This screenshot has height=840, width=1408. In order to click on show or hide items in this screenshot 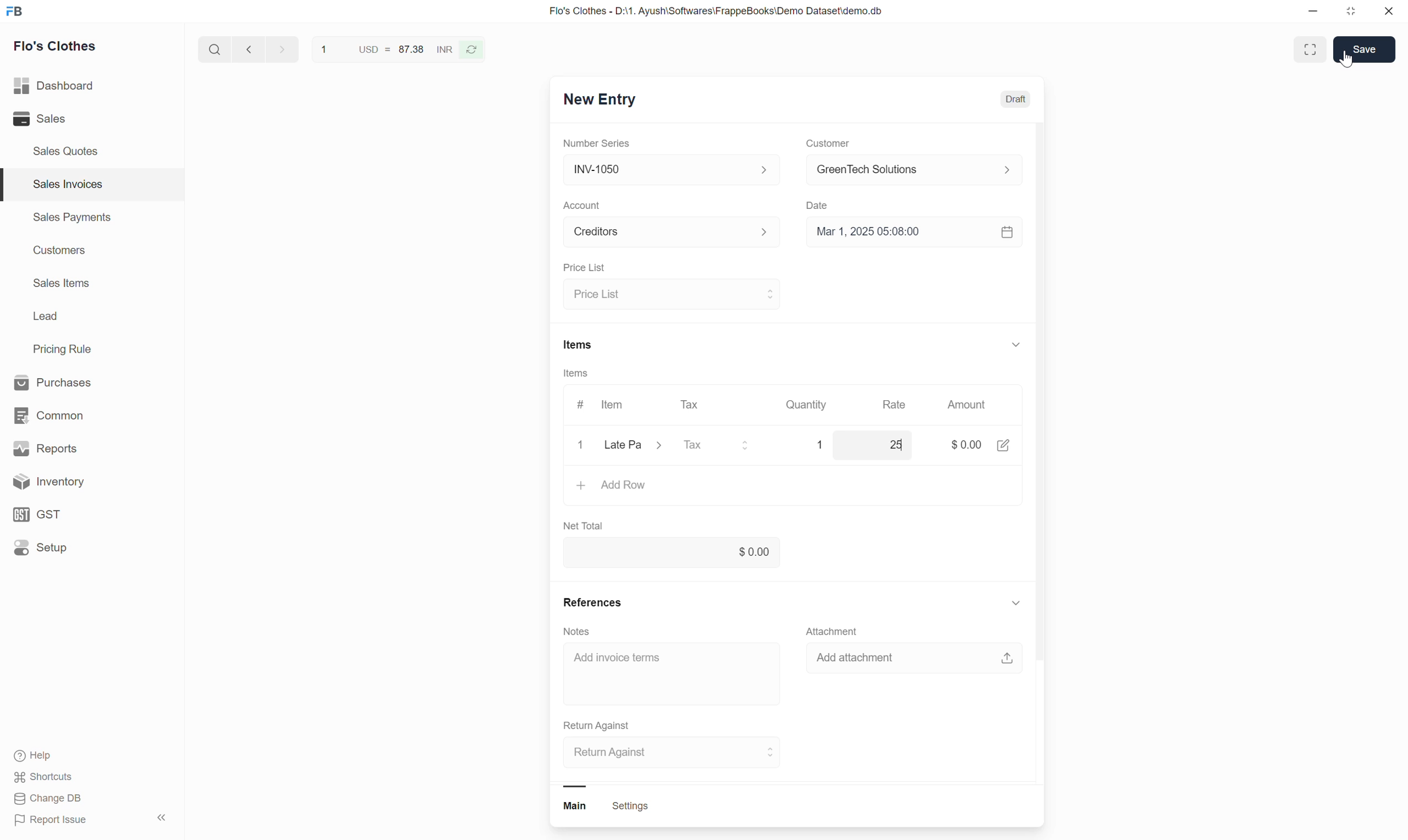, I will do `click(1016, 342)`.